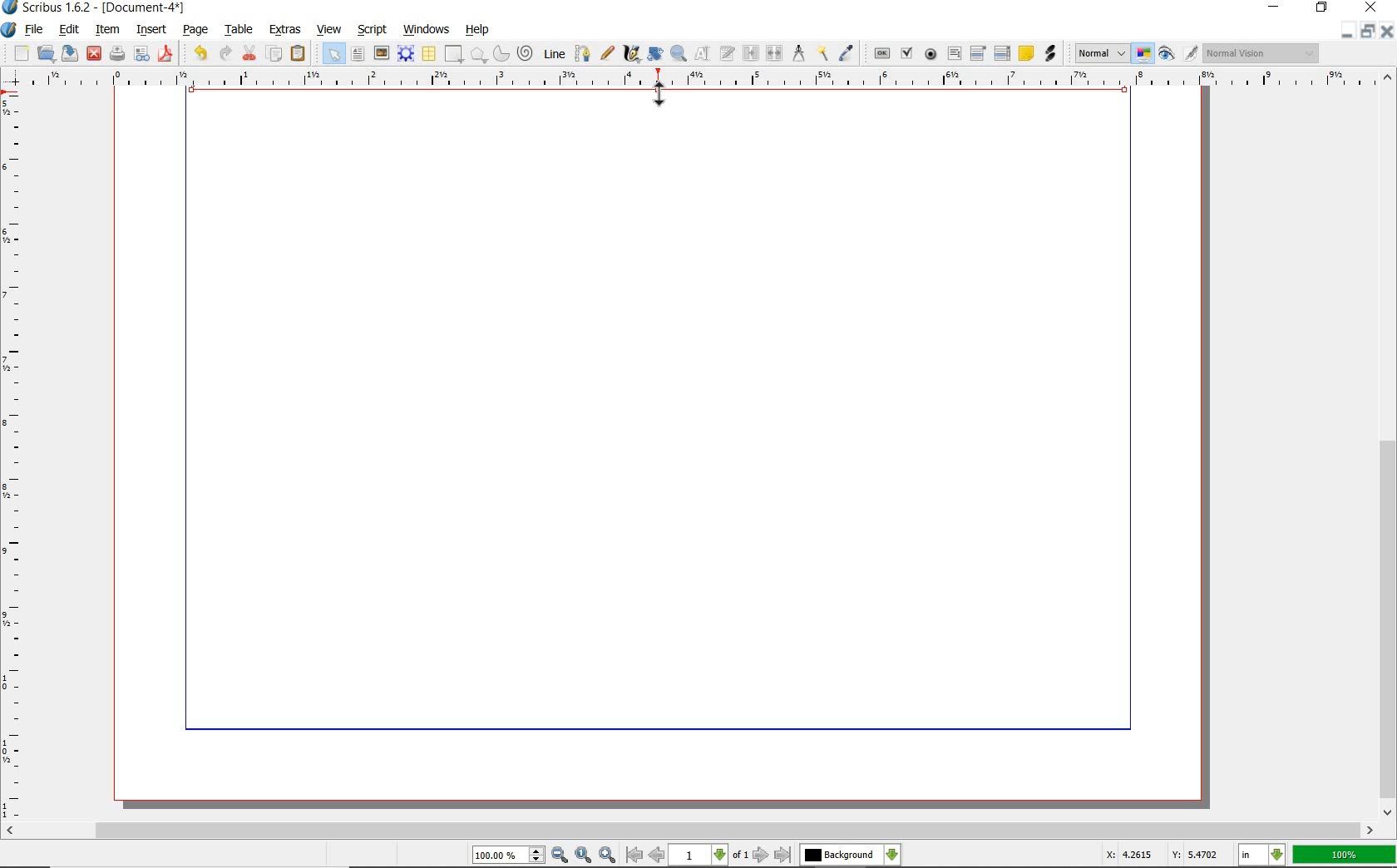 This screenshot has height=868, width=1397. I want to click on go to last page, so click(782, 855).